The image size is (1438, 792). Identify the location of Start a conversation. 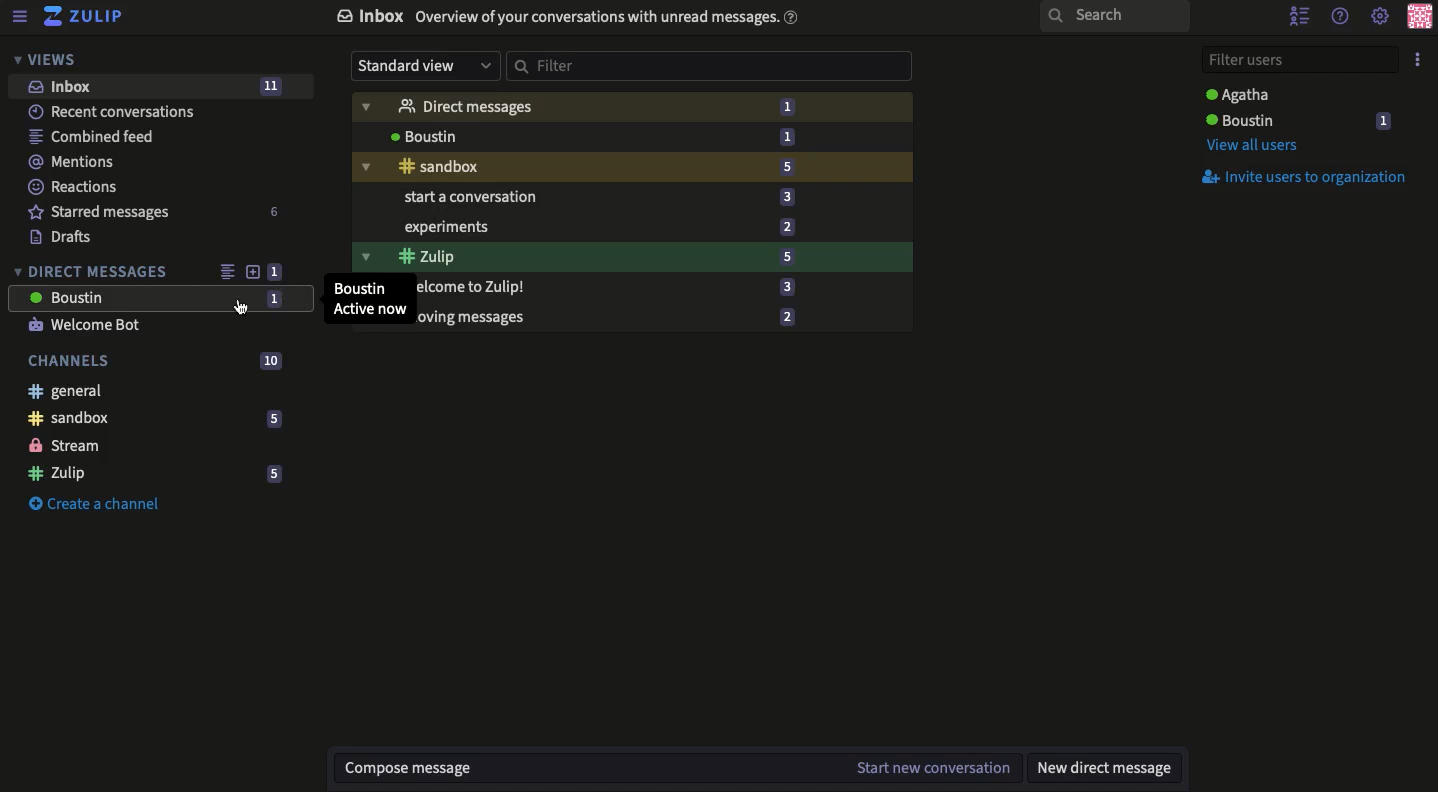
(632, 196).